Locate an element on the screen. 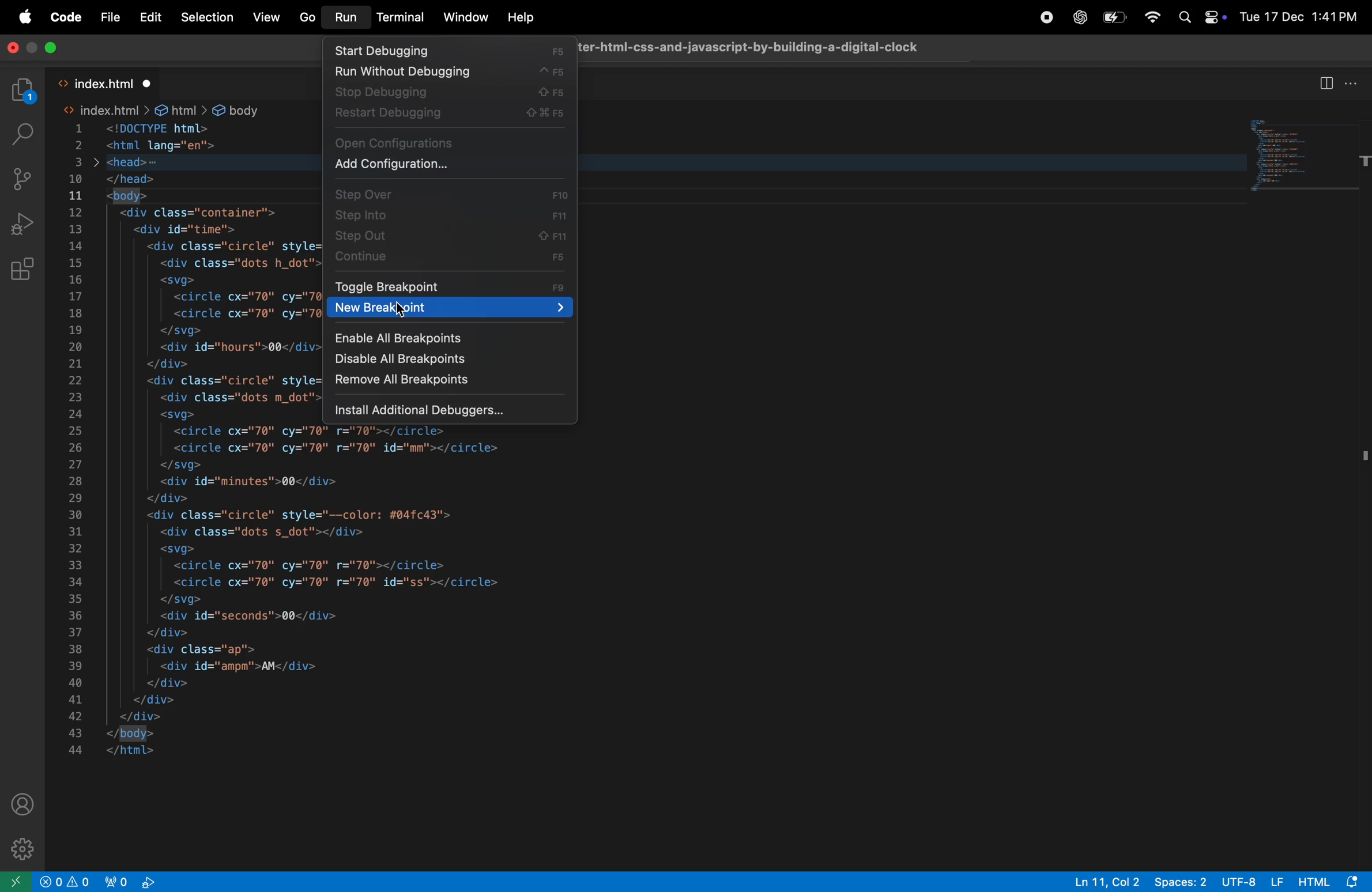 Image resolution: width=1372 pixels, height=892 pixels. apple menu is located at coordinates (26, 18).